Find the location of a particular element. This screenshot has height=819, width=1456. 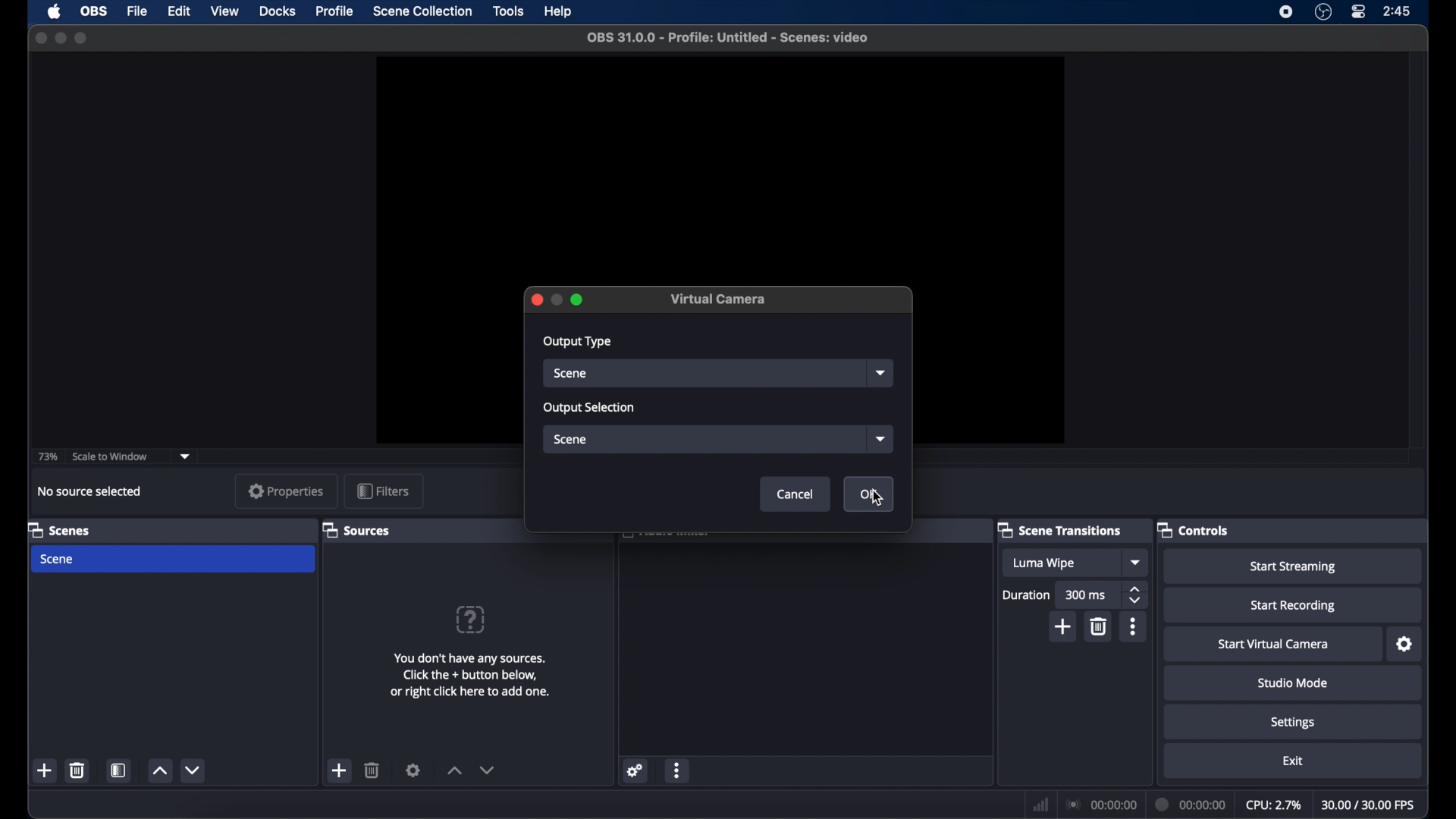

obs is located at coordinates (96, 11).